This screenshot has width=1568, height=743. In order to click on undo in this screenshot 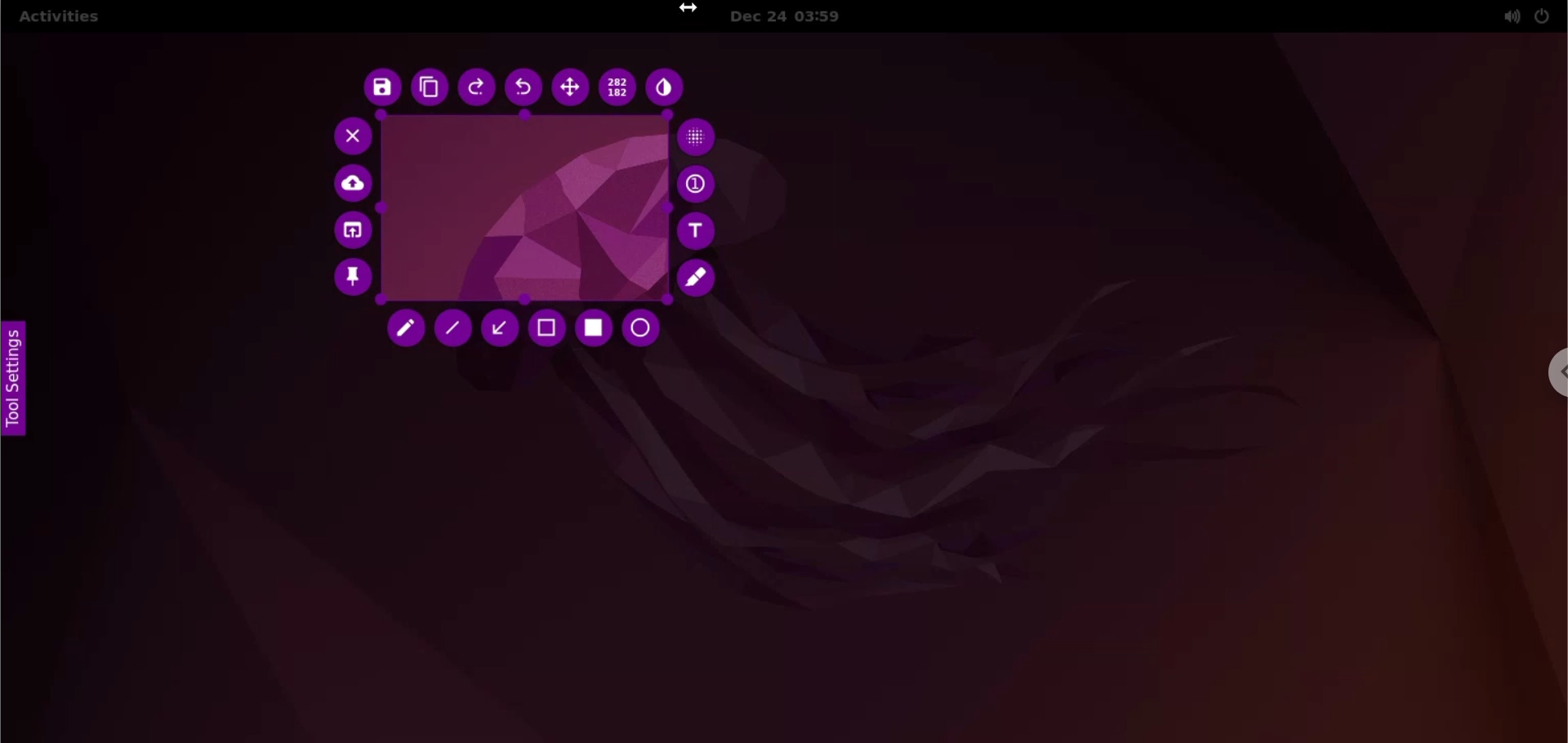, I will do `click(521, 88)`.